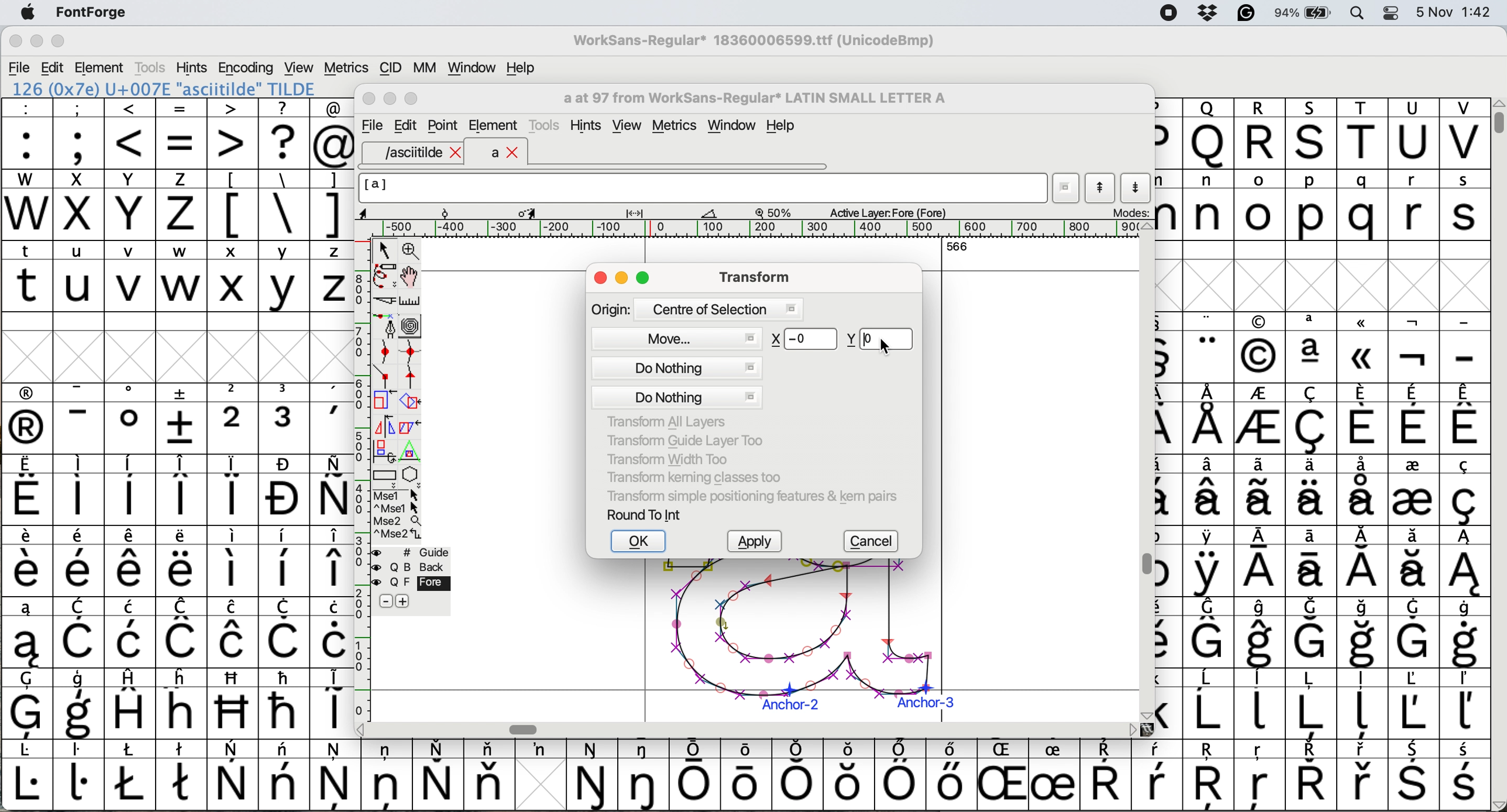 This screenshot has height=812, width=1507. I want to click on rotat object in 3d and project back to plane, so click(383, 450).